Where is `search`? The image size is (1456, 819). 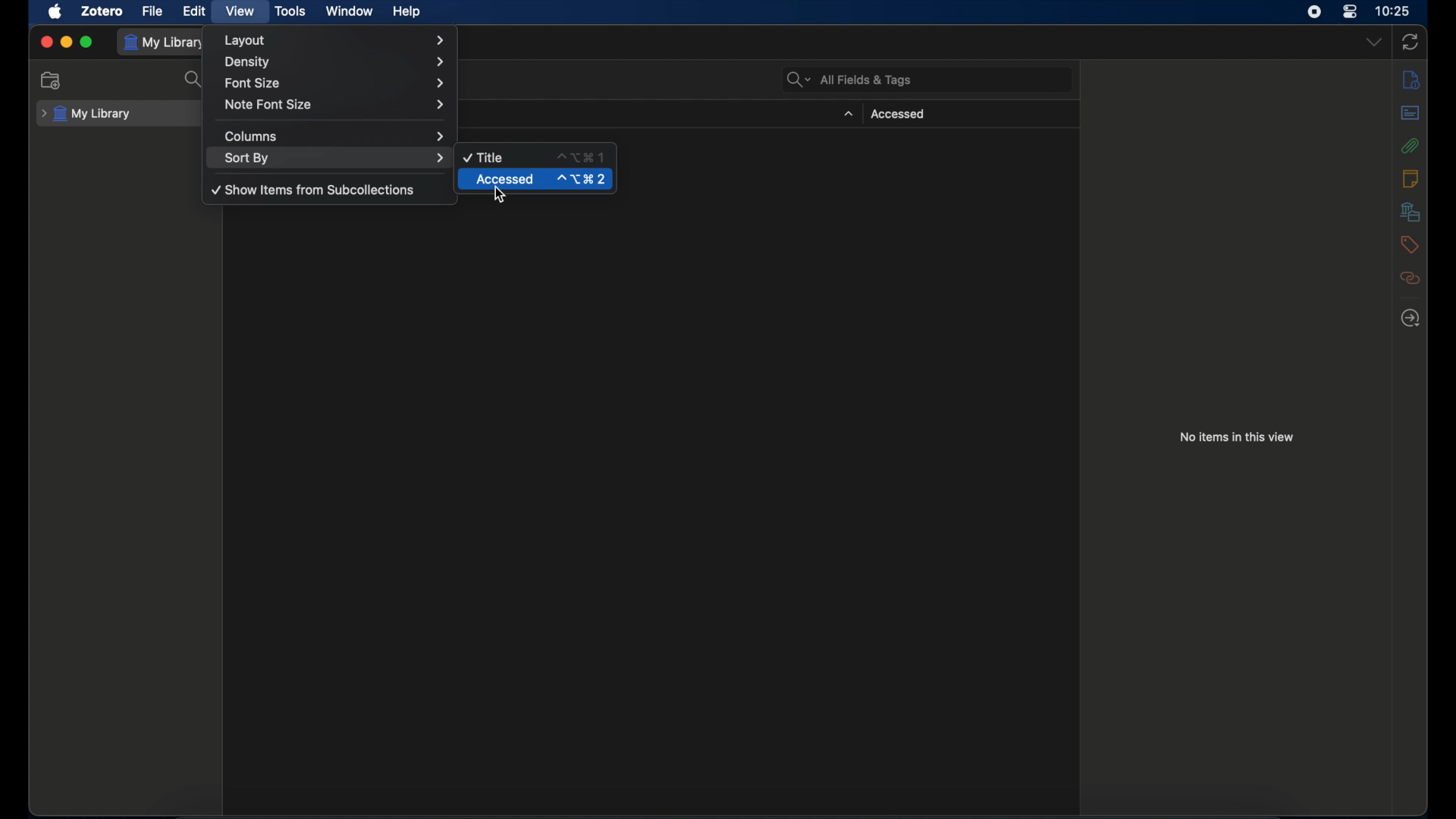
search is located at coordinates (193, 80).